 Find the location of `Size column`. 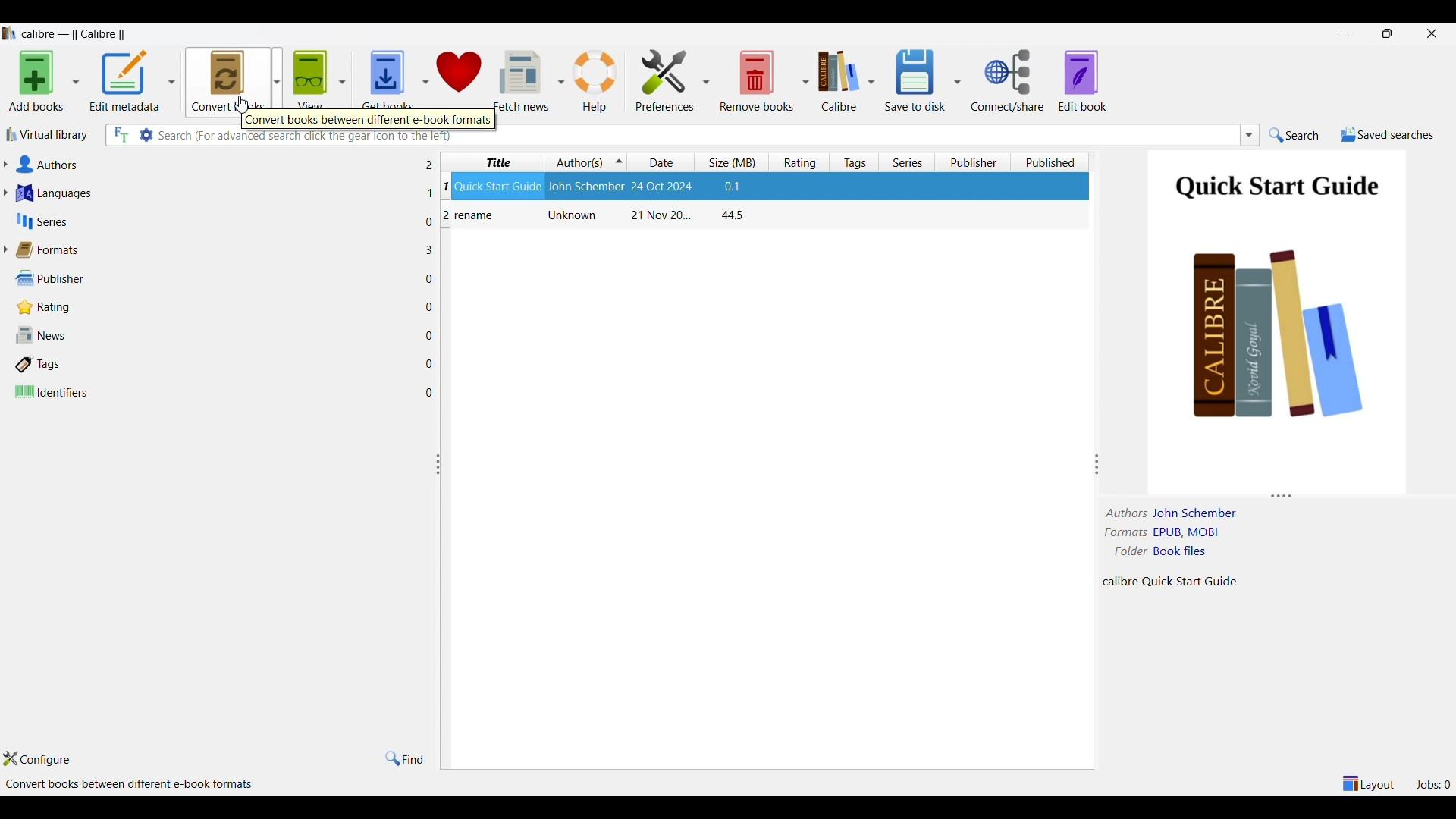

Size column is located at coordinates (733, 162).